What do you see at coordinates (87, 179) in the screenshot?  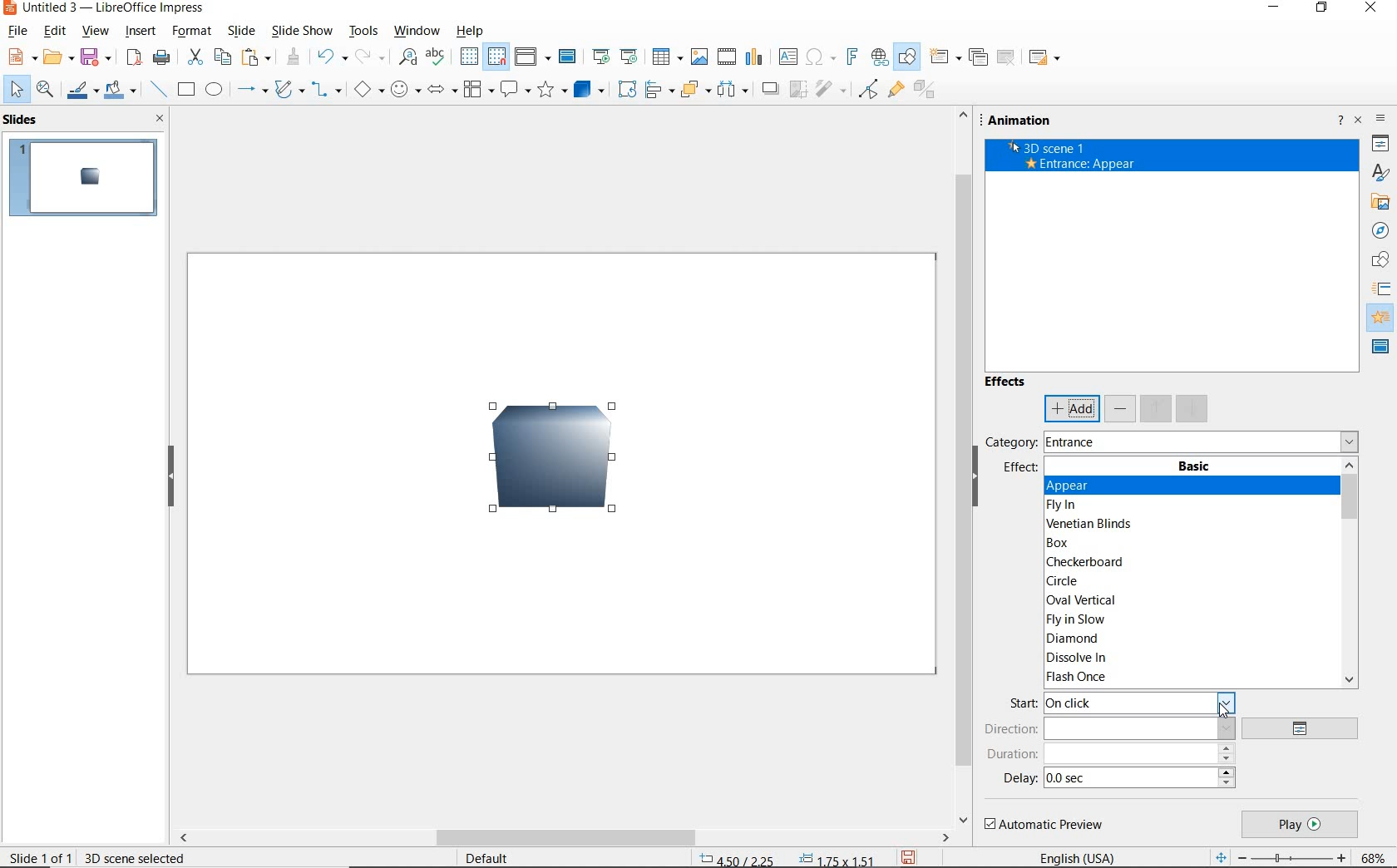 I see `slide1` at bounding box center [87, 179].